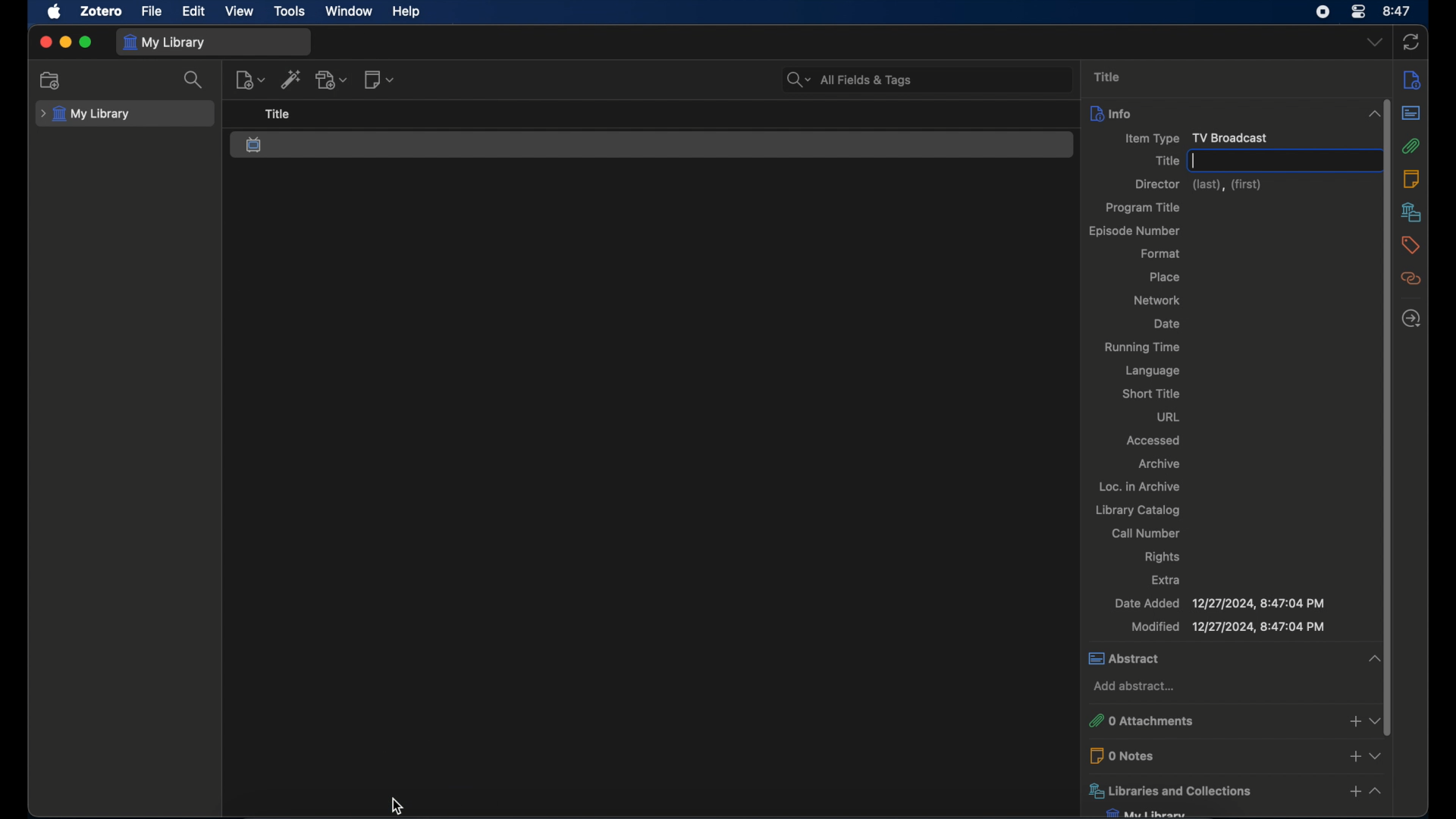 The height and width of the screenshot is (819, 1456). Describe the element at coordinates (1351, 723) in the screenshot. I see `add attachments` at that location.